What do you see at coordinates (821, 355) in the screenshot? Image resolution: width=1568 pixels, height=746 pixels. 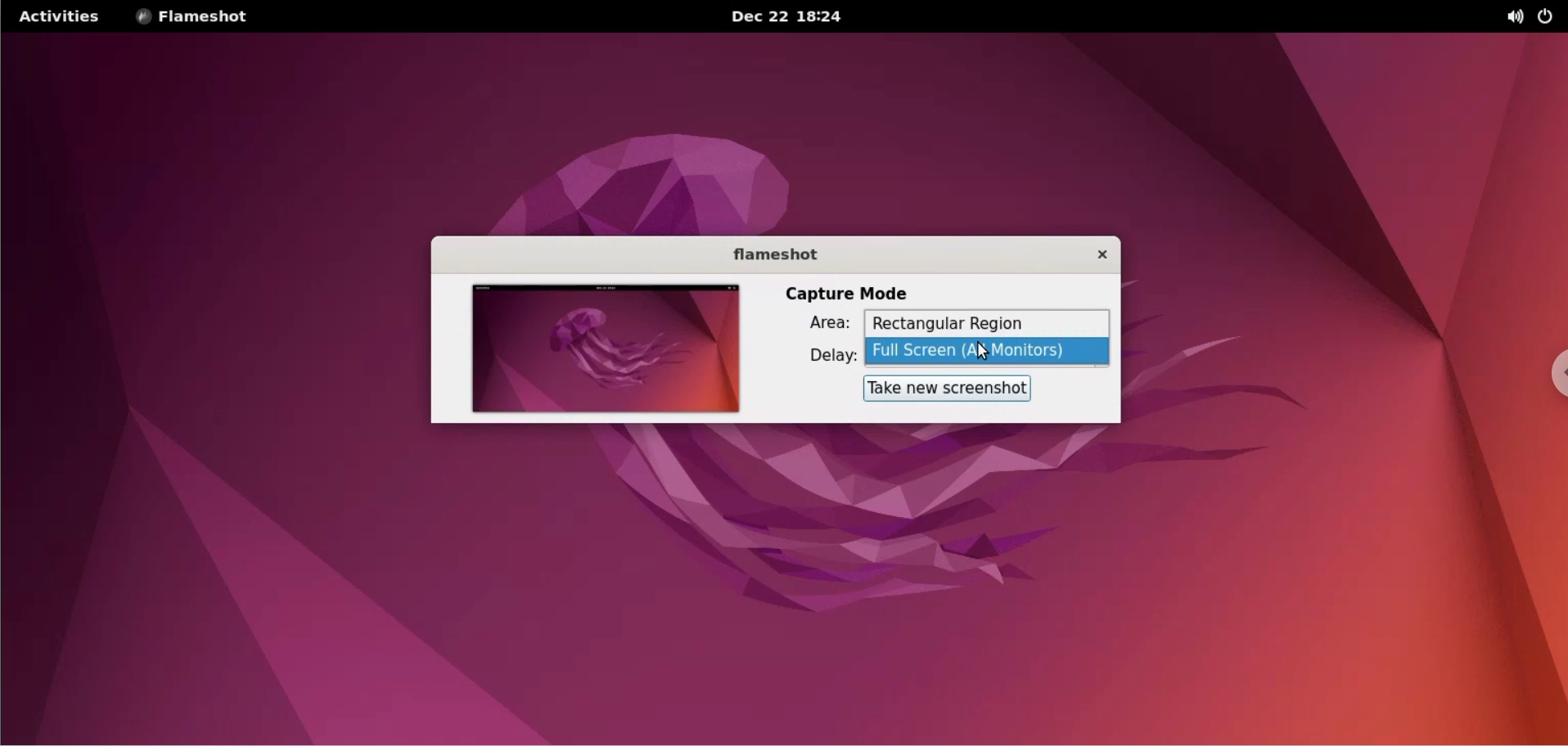 I see `delay:` at bounding box center [821, 355].